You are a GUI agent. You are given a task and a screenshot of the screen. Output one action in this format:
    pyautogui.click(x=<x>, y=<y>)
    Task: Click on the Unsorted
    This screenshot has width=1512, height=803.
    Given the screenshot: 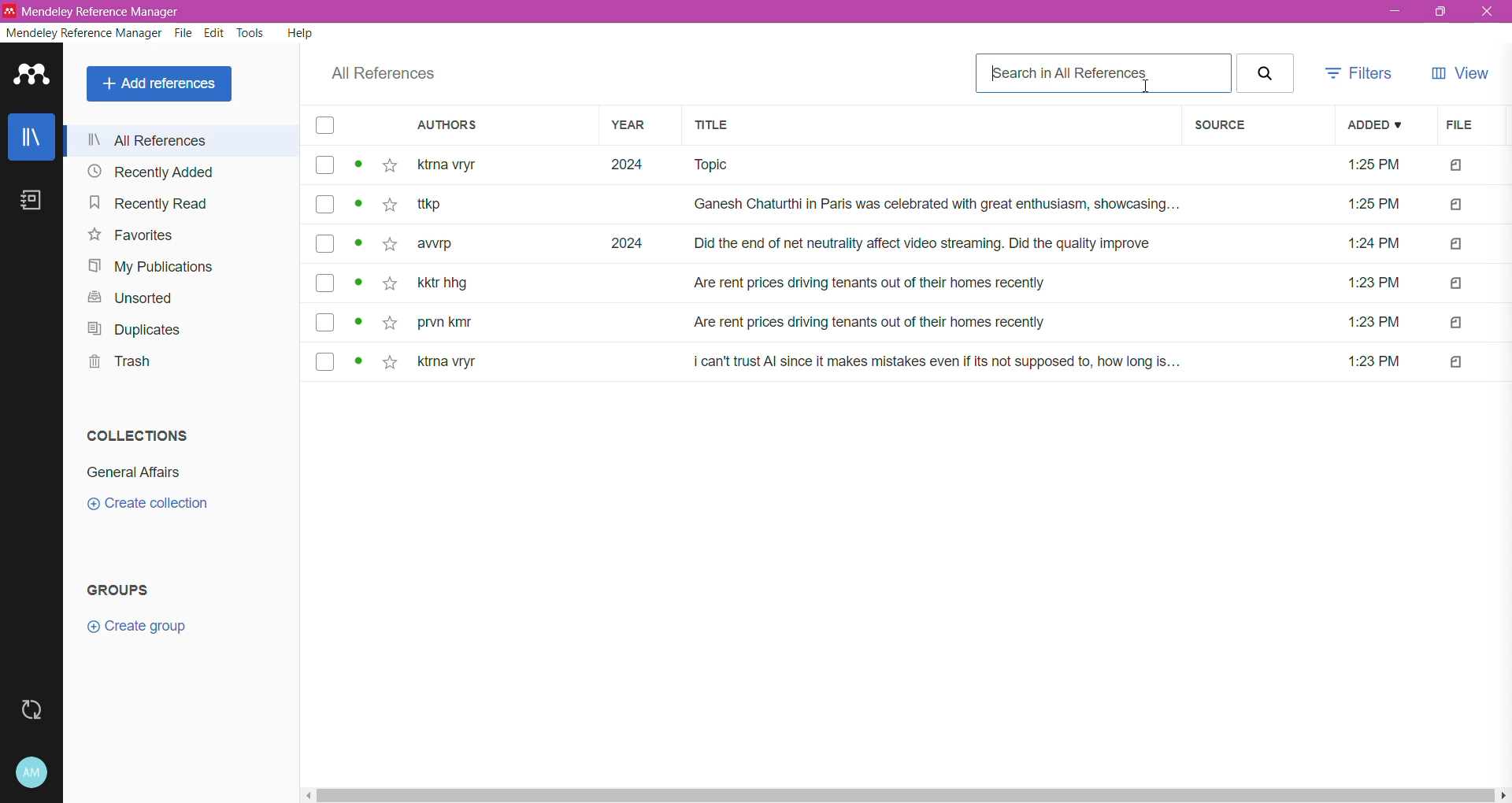 What is the action you would take?
    pyautogui.click(x=126, y=298)
    